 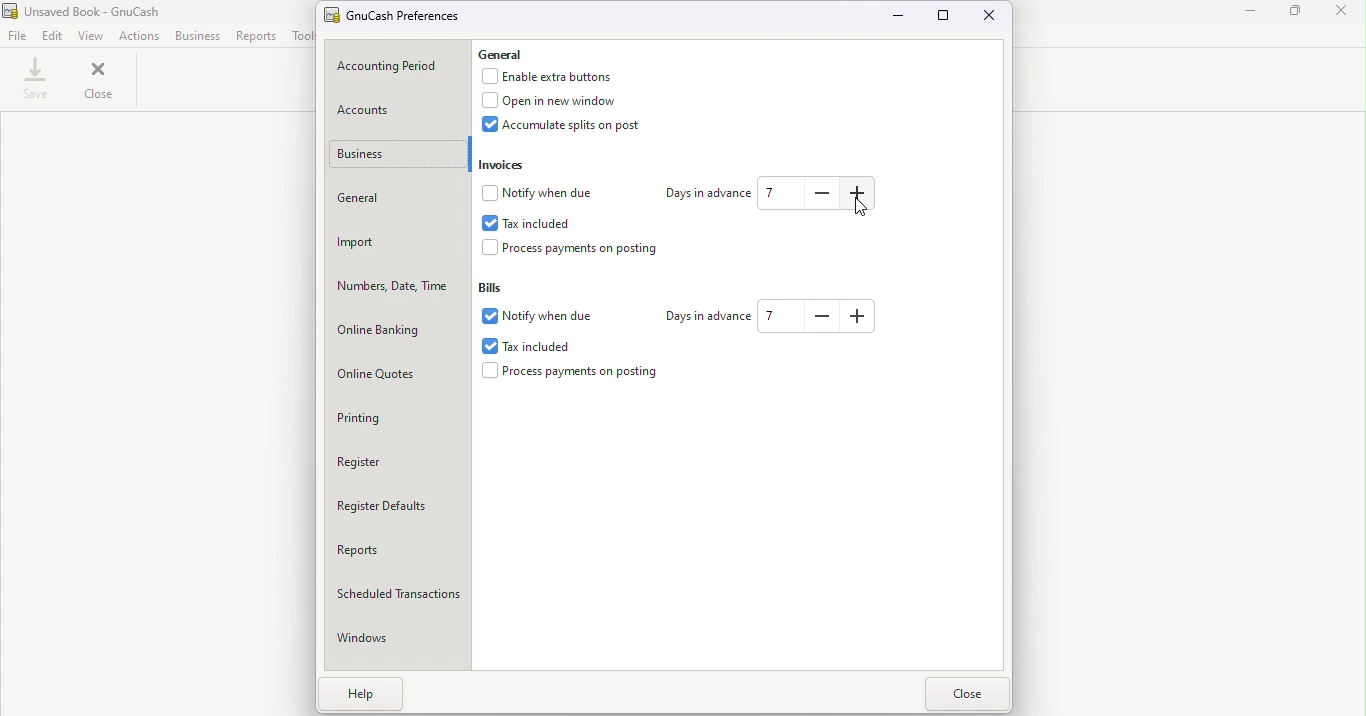 I want to click on Open in new window, so click(x=562, y=100).